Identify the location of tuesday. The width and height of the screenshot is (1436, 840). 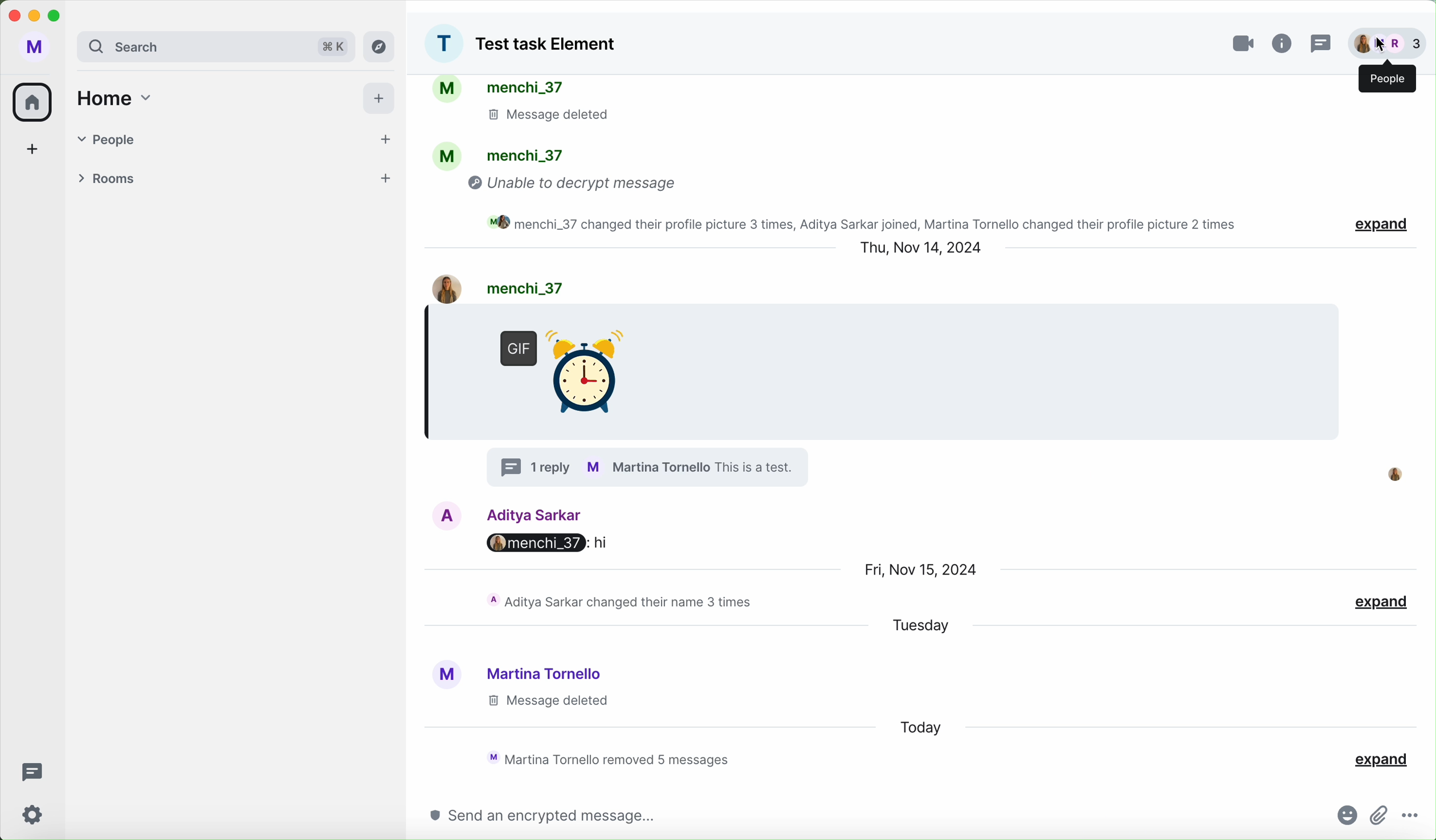
(921, 625).